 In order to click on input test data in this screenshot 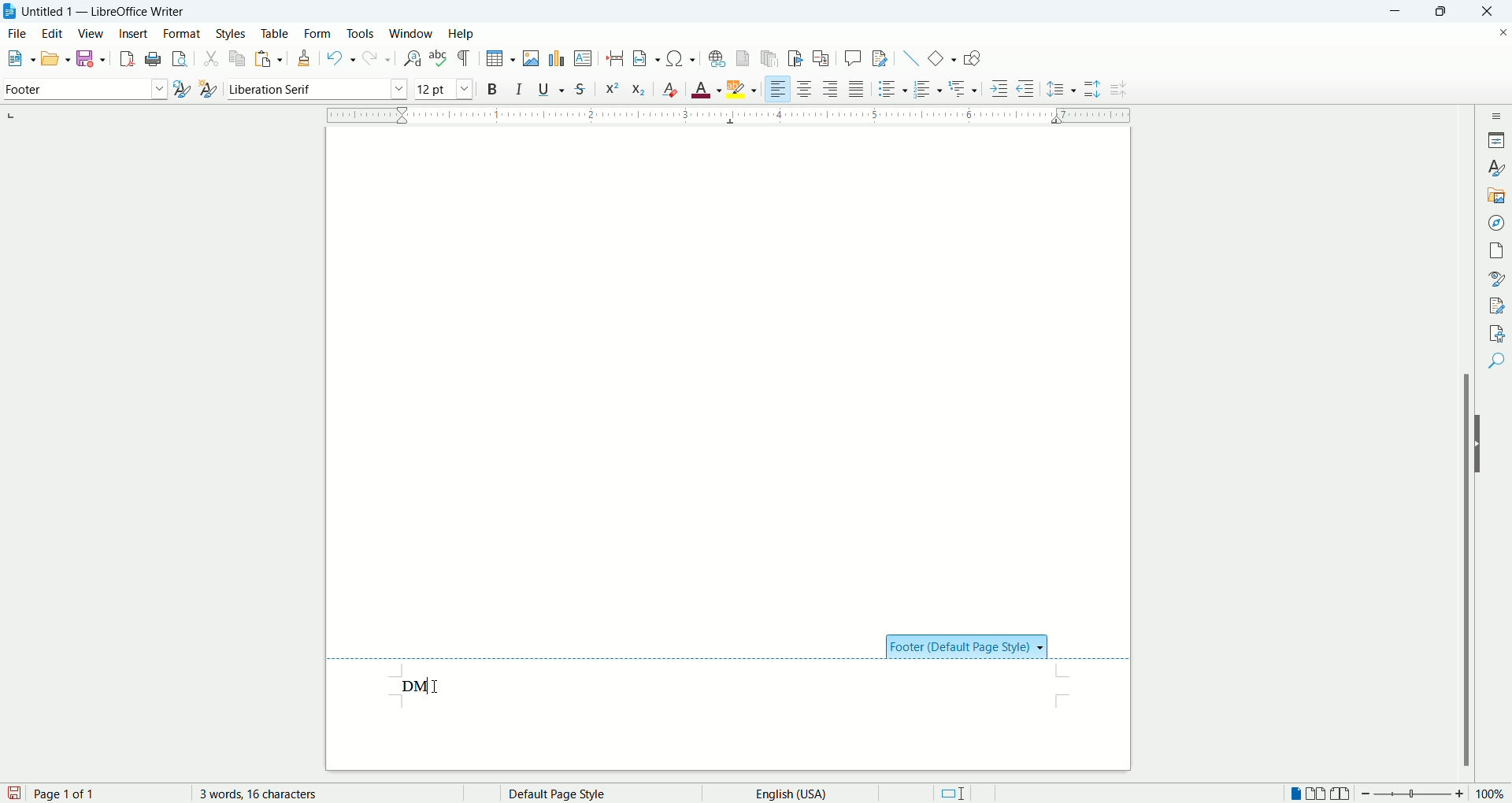, I will do `click(422, 686)`.